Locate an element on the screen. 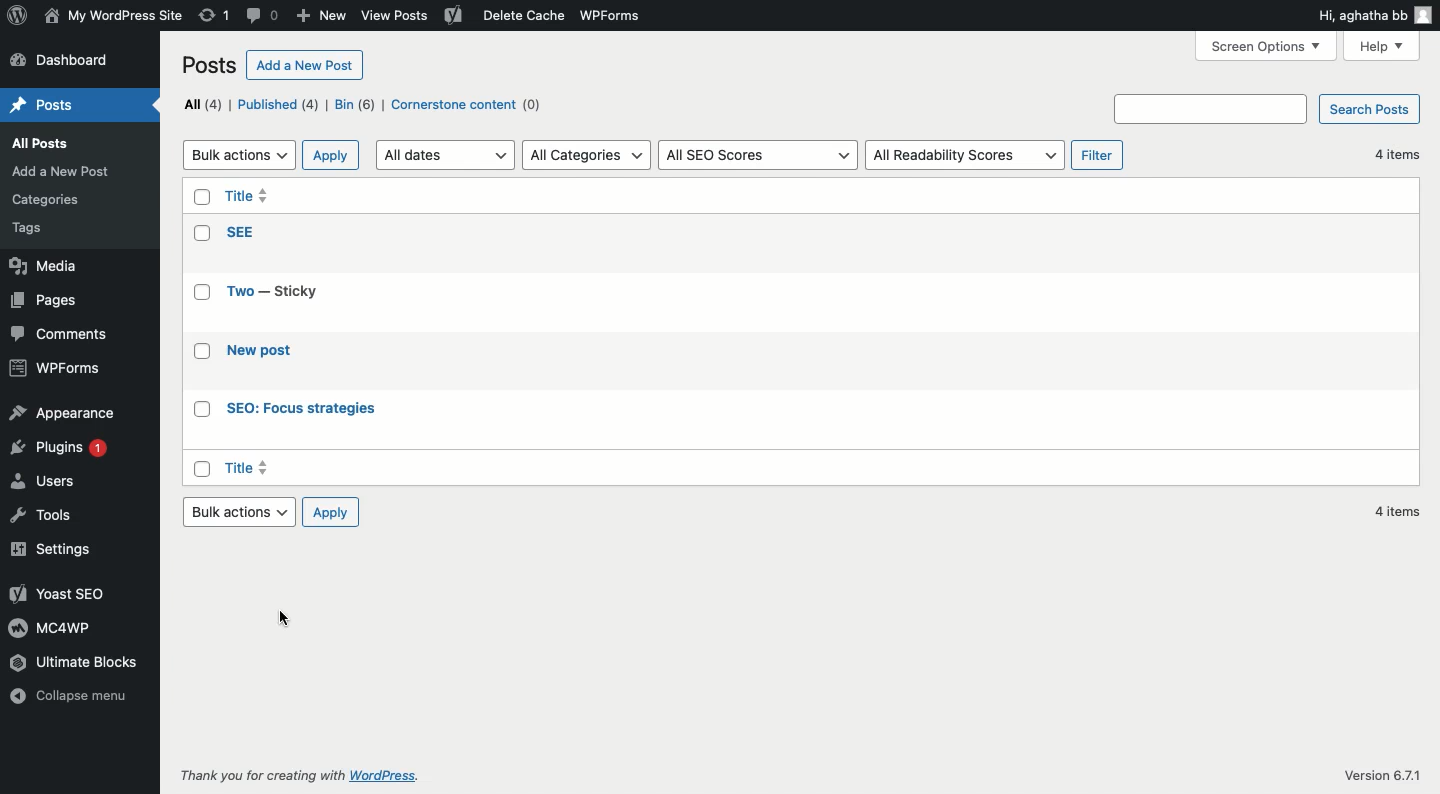 This screenshot has width=1440, height=794. All dates is located at coordinates (445, 156).